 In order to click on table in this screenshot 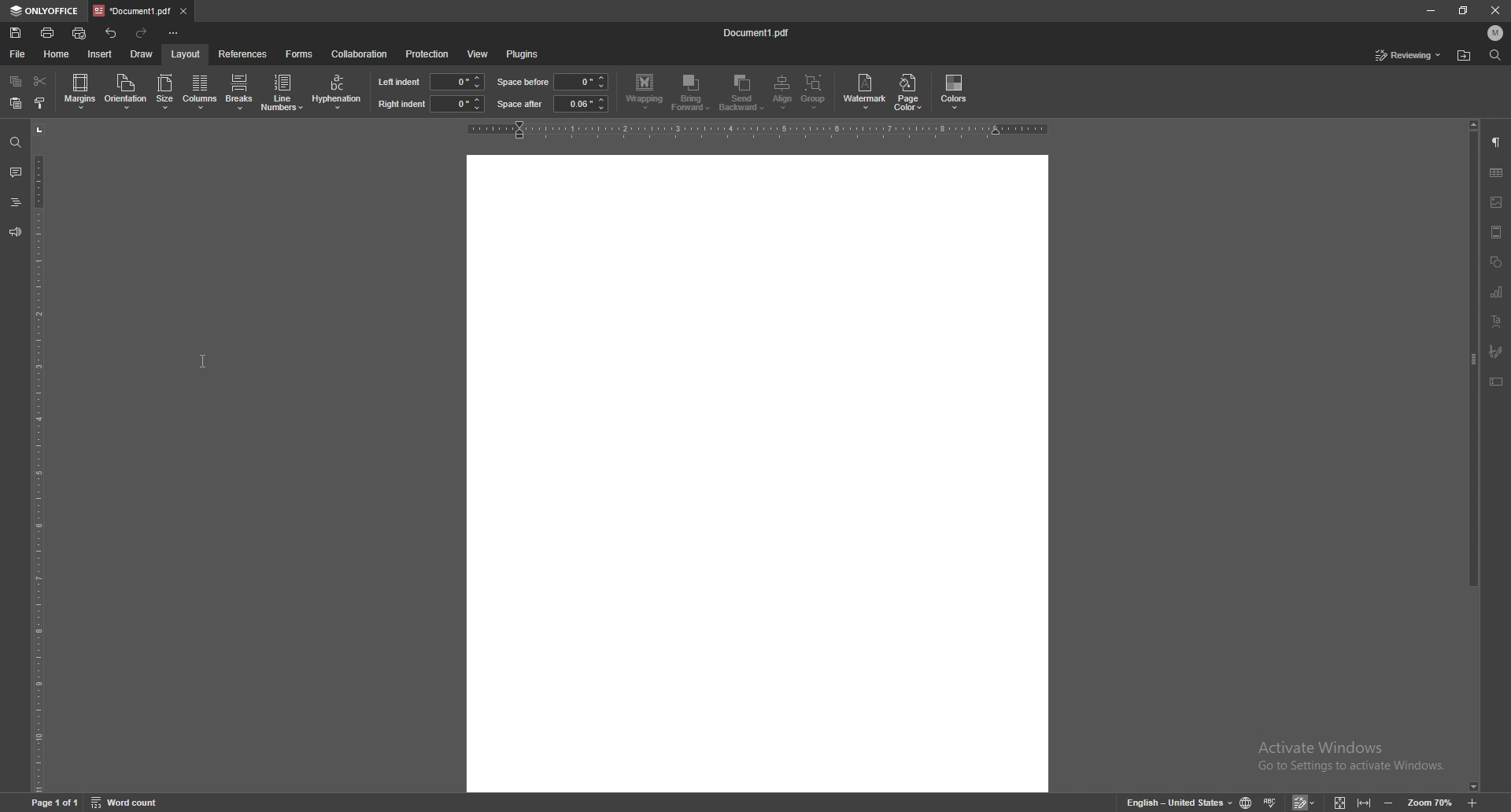, I will do `click(1496, 172)`.